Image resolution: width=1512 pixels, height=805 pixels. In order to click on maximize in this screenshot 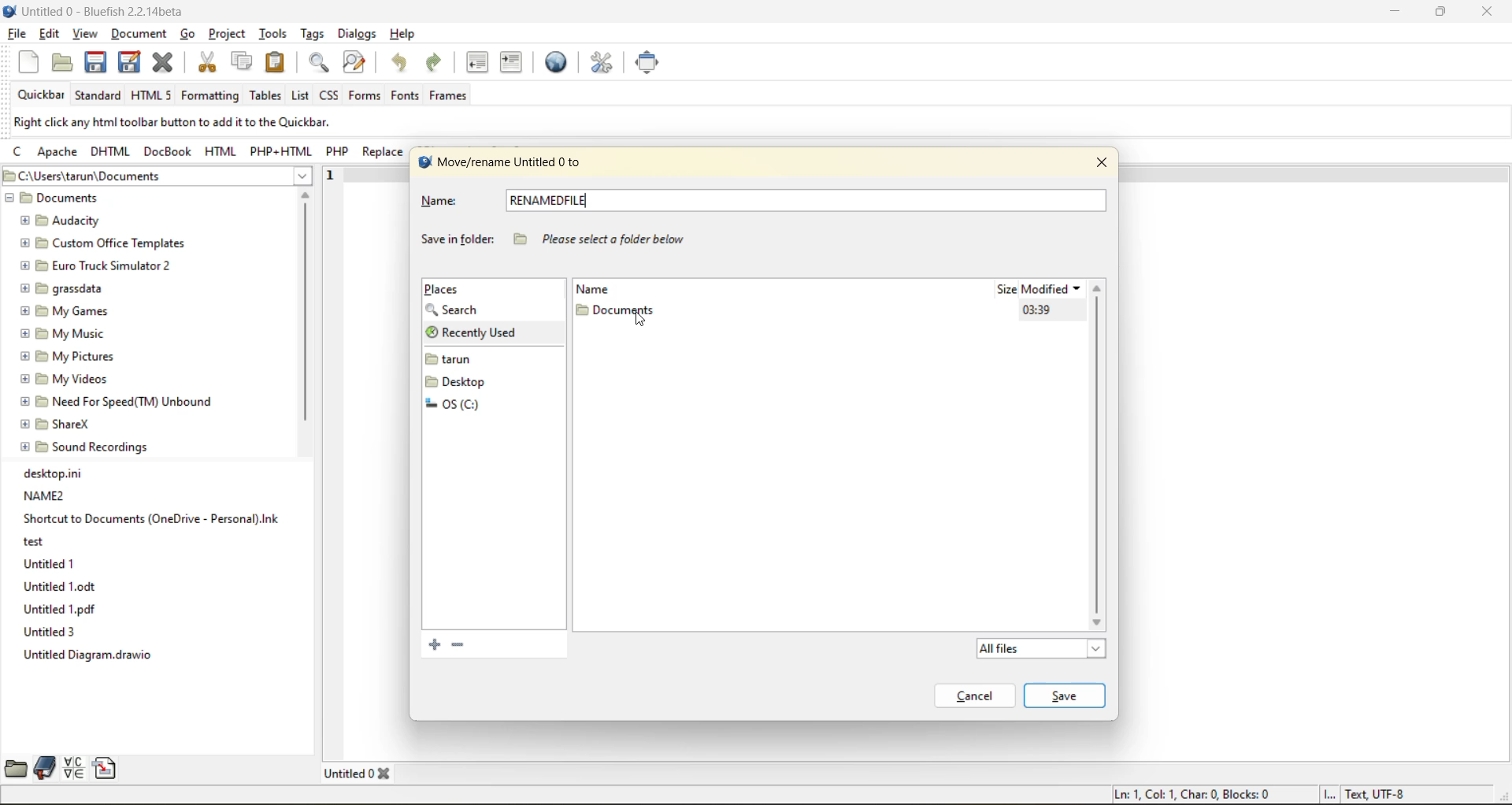, I will do `click(1445, 13)`.